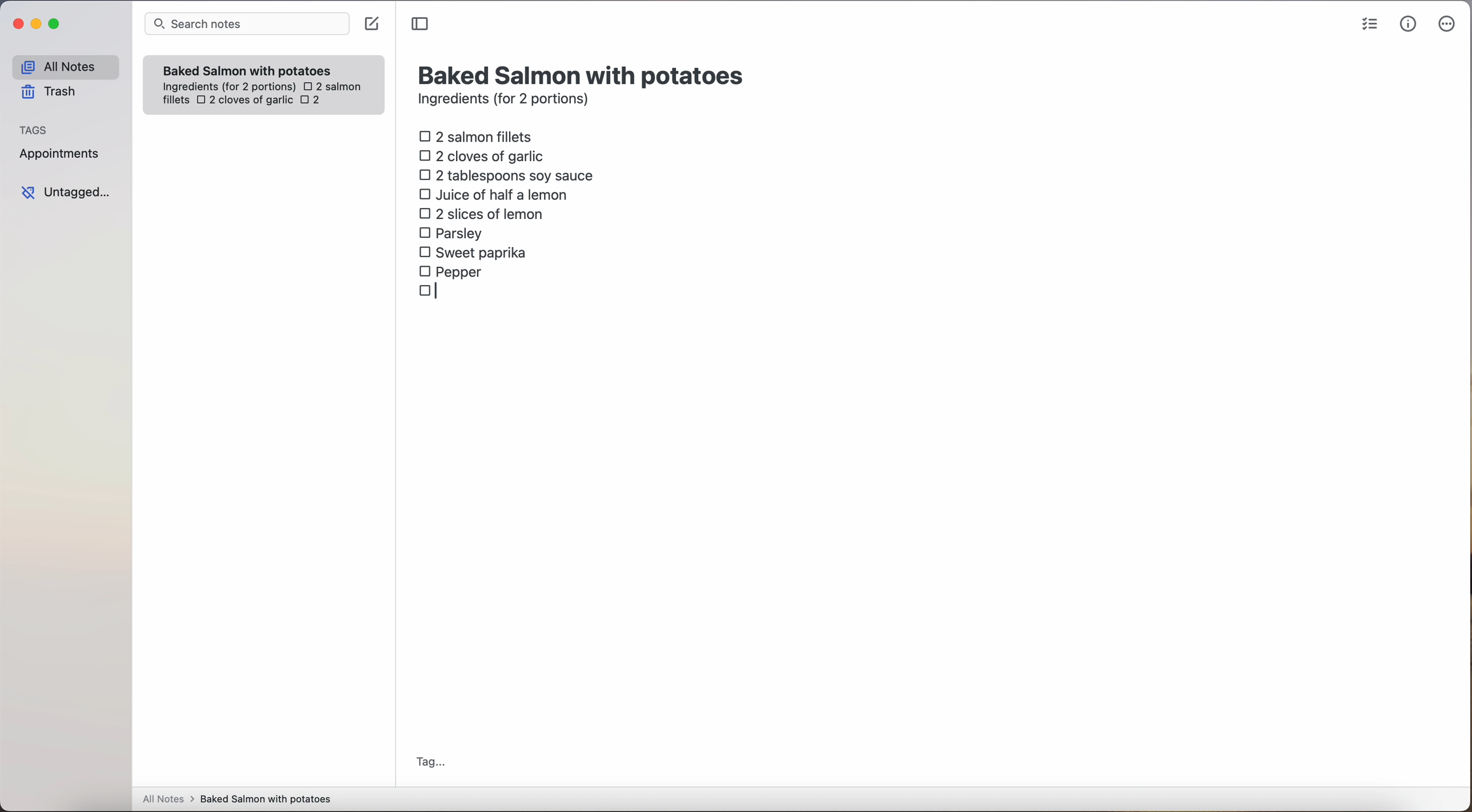 This screenshot has height=812, width=1472. Describe the element at coordinates (479, 135) in the screenshot. I see `2 salmon fillets` at that location.